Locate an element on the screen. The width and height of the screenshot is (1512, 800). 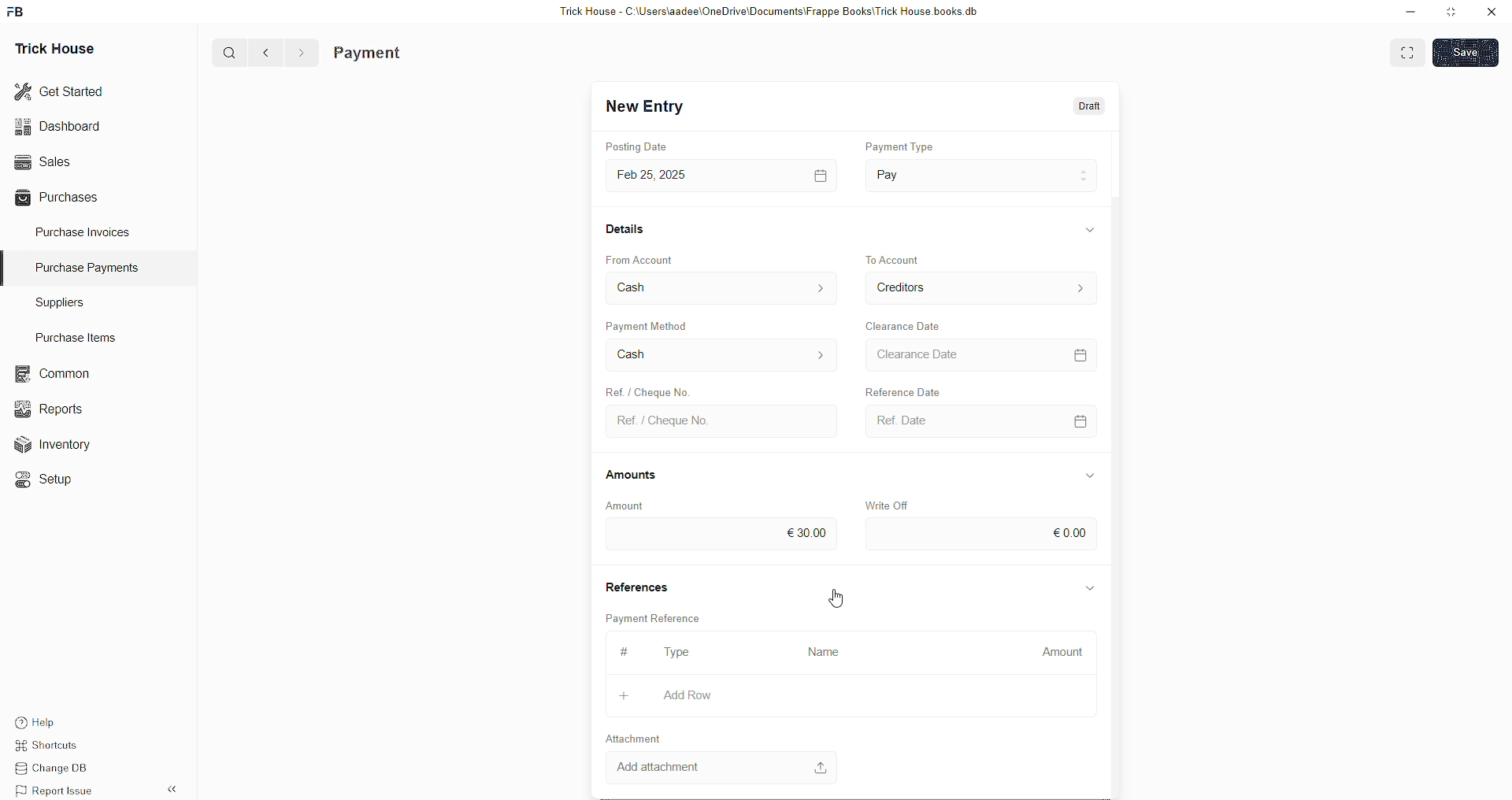
Q is located at coordinates (224, 51).